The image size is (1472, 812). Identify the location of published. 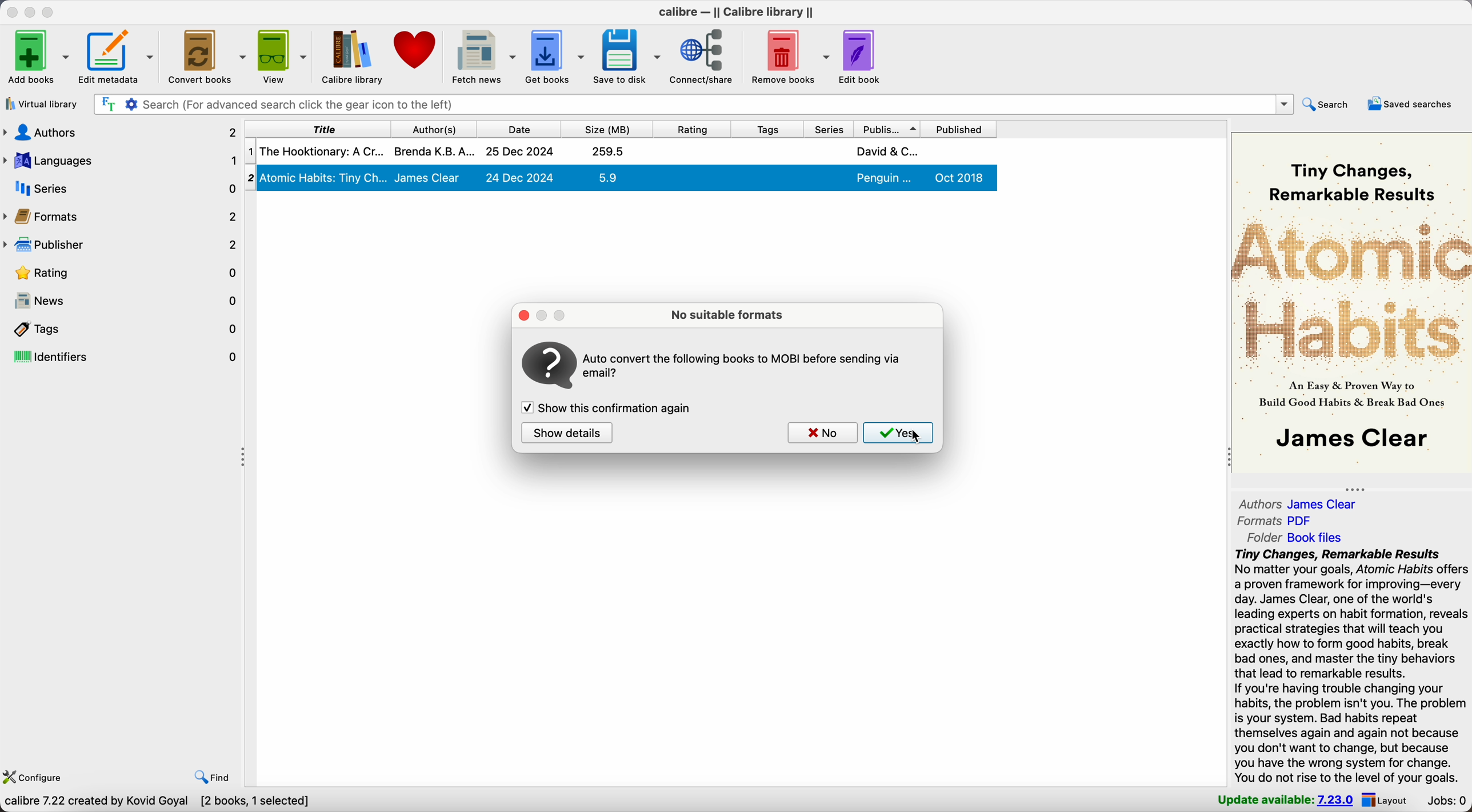
(963, 128).